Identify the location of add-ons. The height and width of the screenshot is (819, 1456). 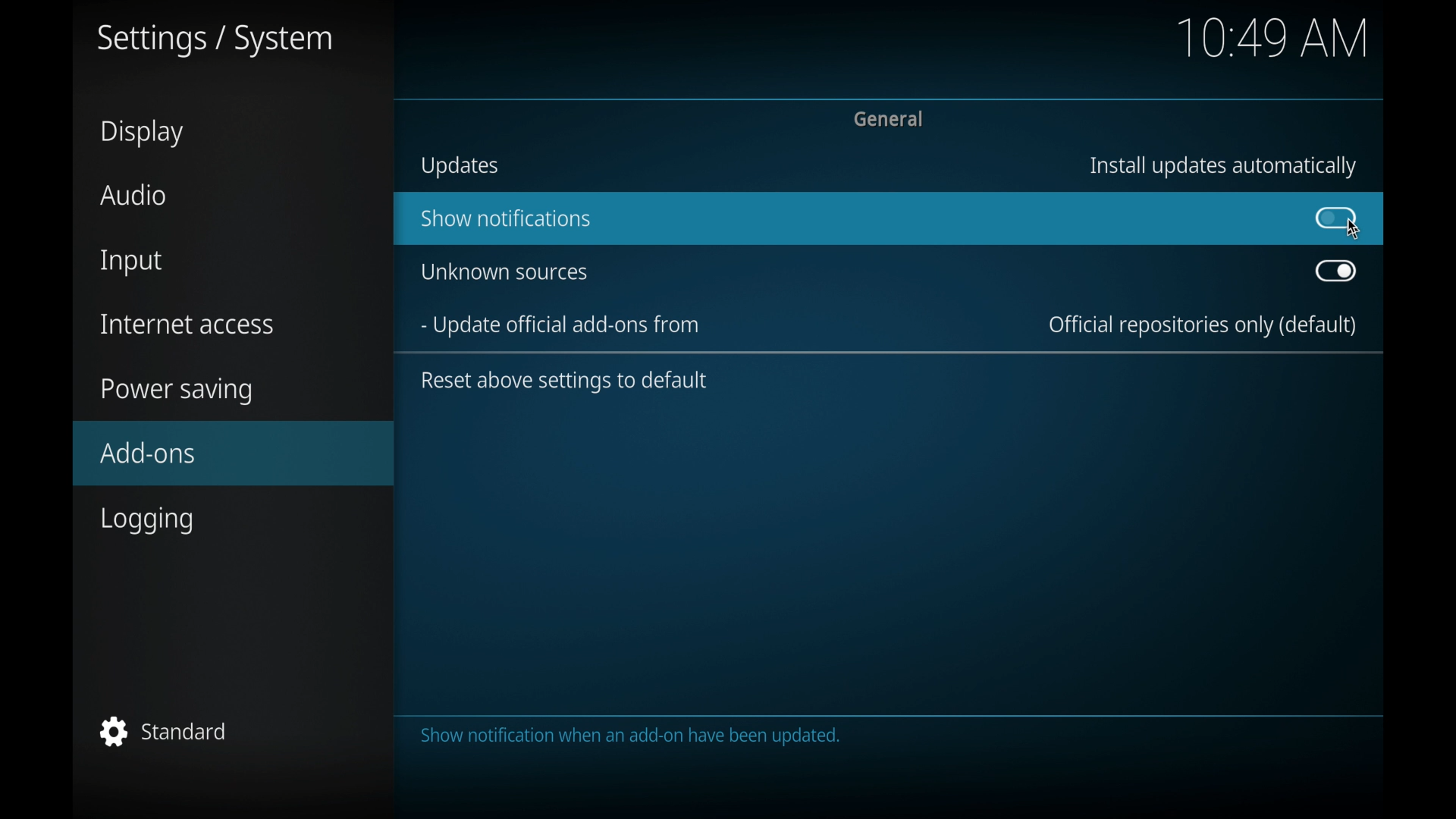
(147, 450).